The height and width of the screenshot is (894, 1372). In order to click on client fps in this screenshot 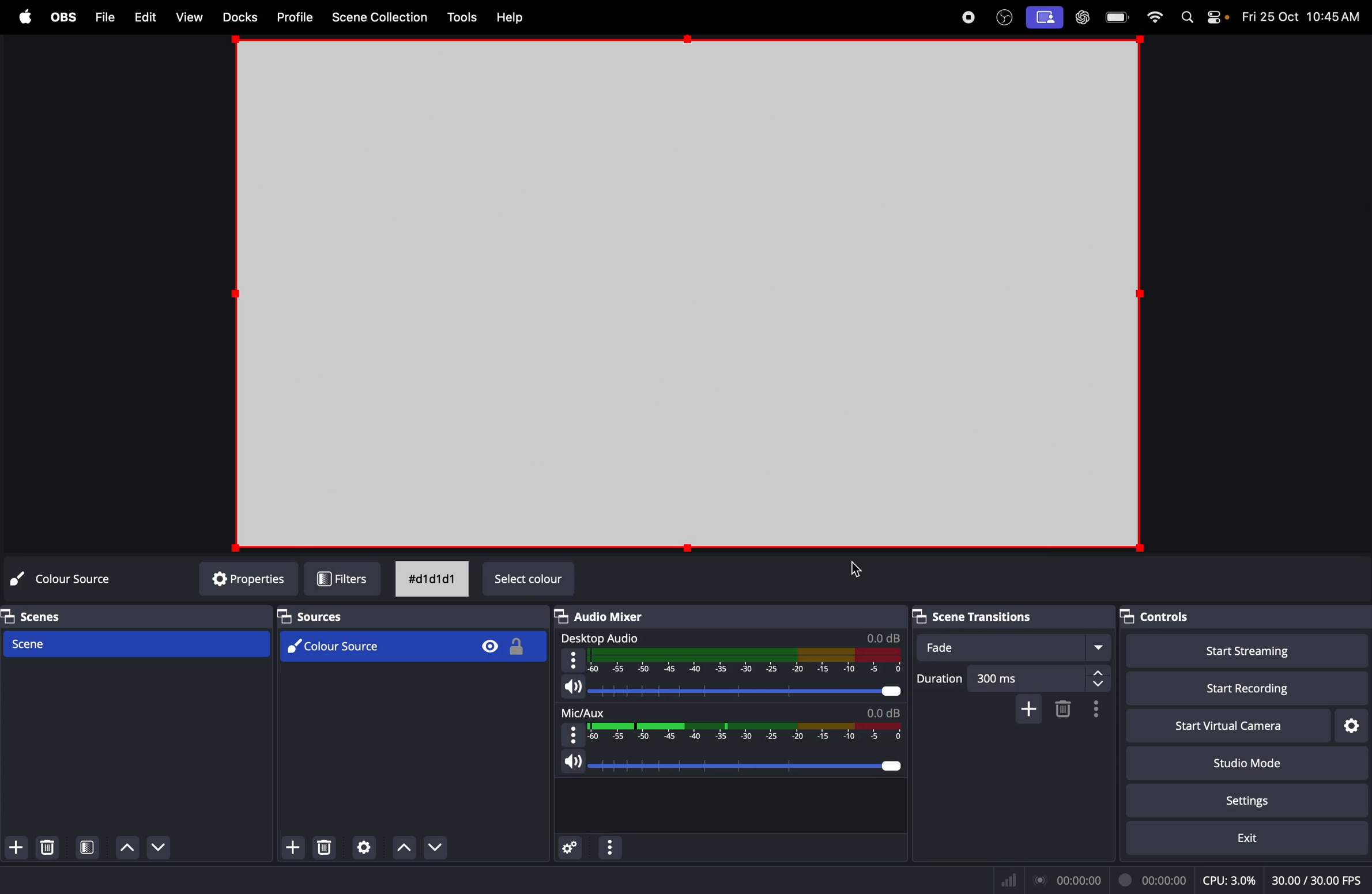, I will do `click(1314, 876)`.